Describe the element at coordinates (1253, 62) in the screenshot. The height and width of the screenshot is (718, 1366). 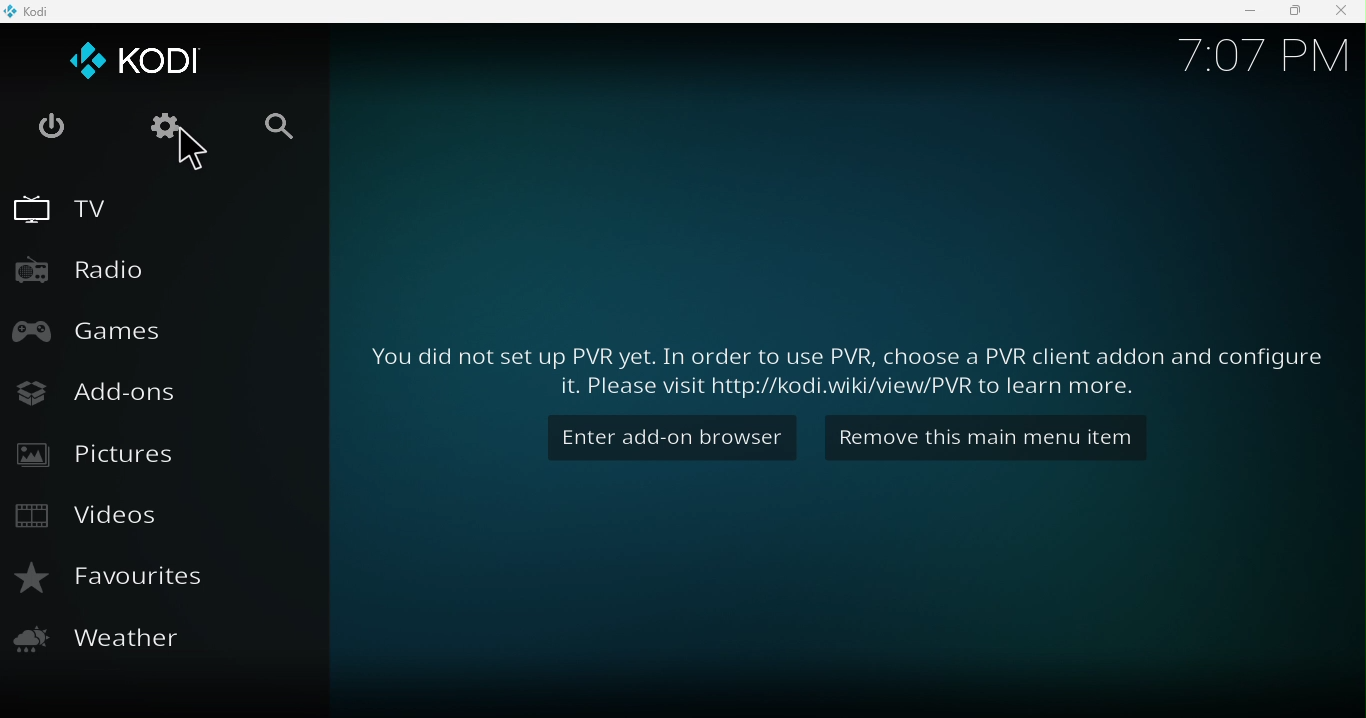
I see `7:07 PM` at that location.